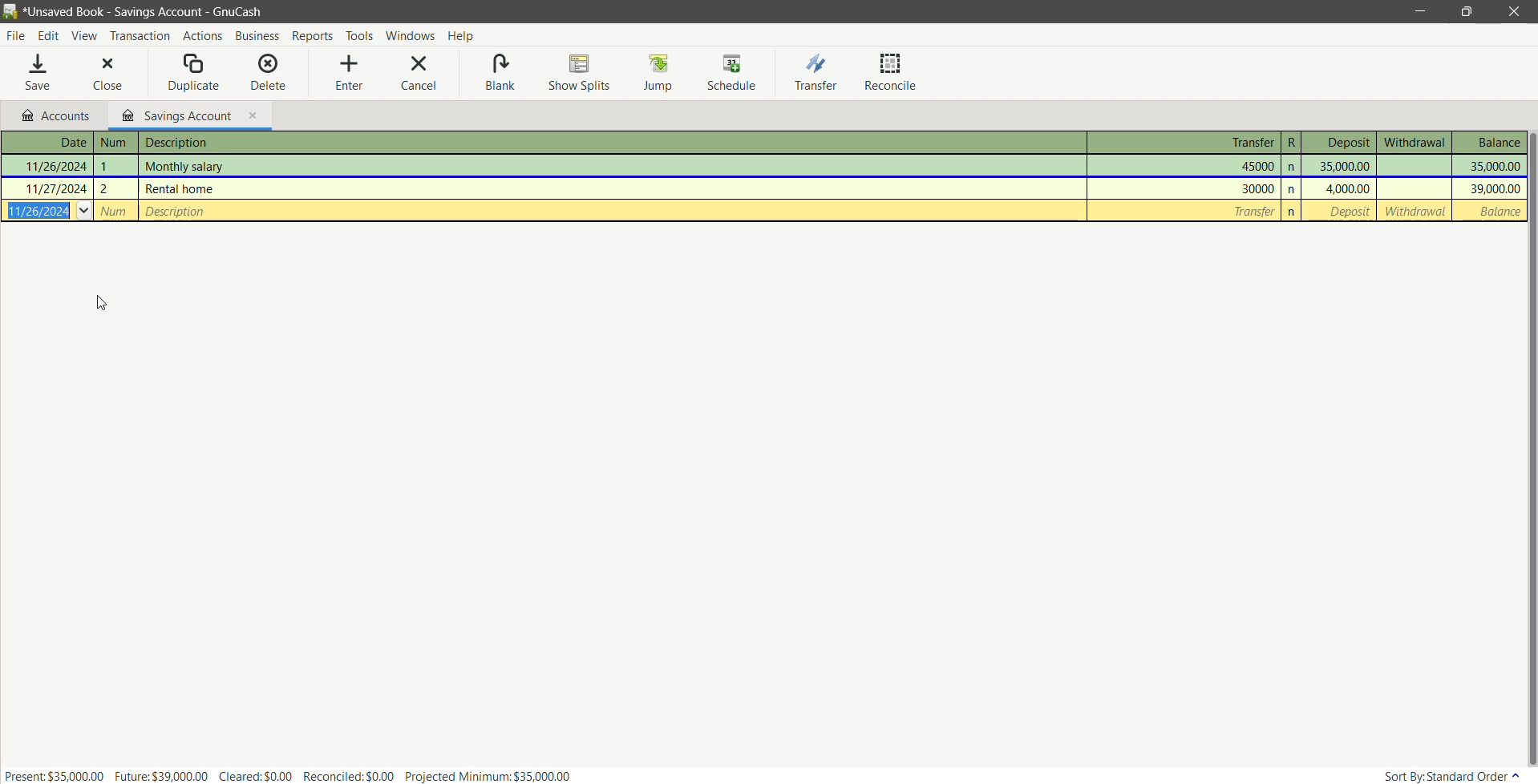 This screenshot has height=784, width=1538. I want to click on 4500, so click(1188, 165).